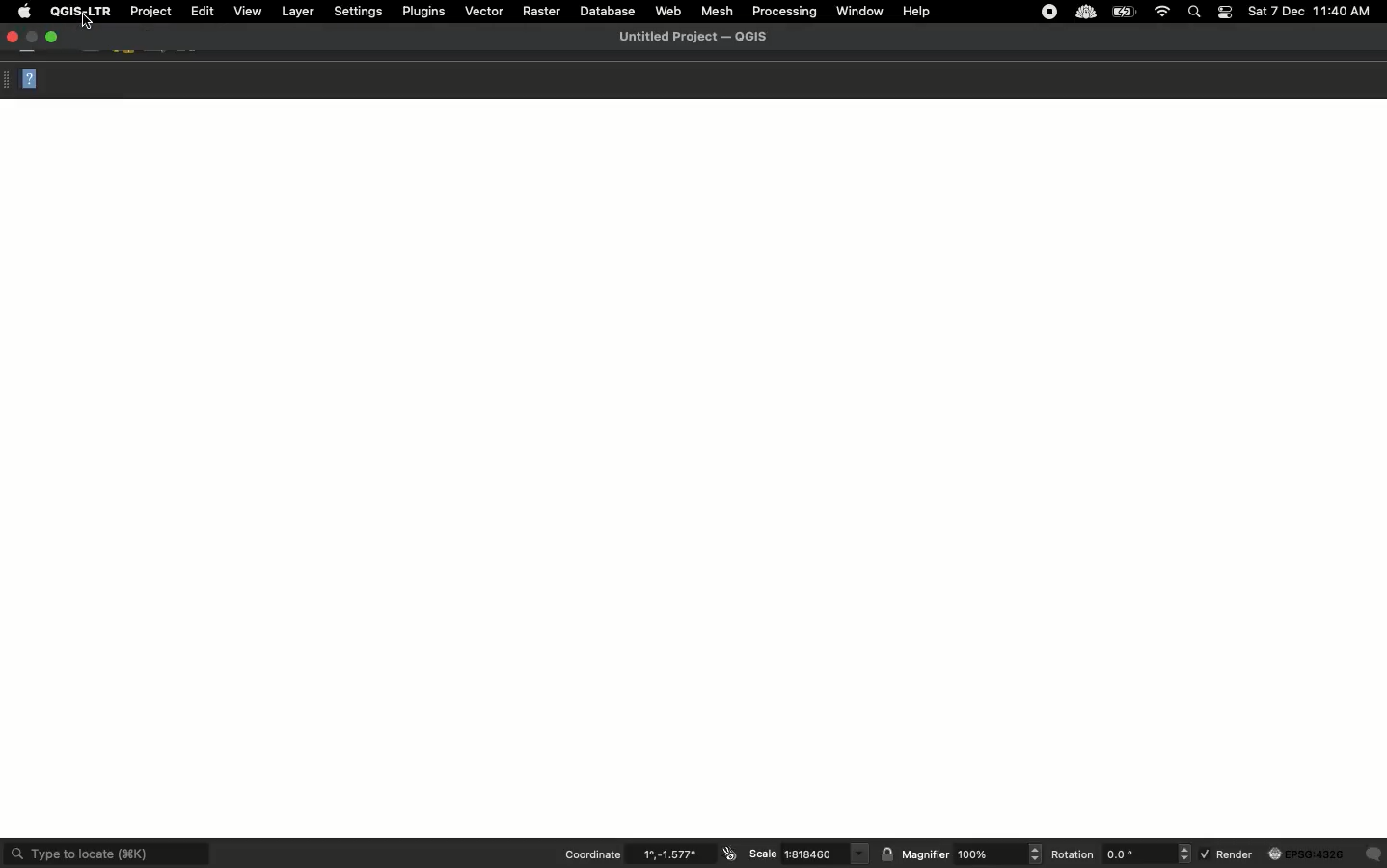  Describe the element at coordinates (9, 78) in the screenshot. I see `Options` at that location.